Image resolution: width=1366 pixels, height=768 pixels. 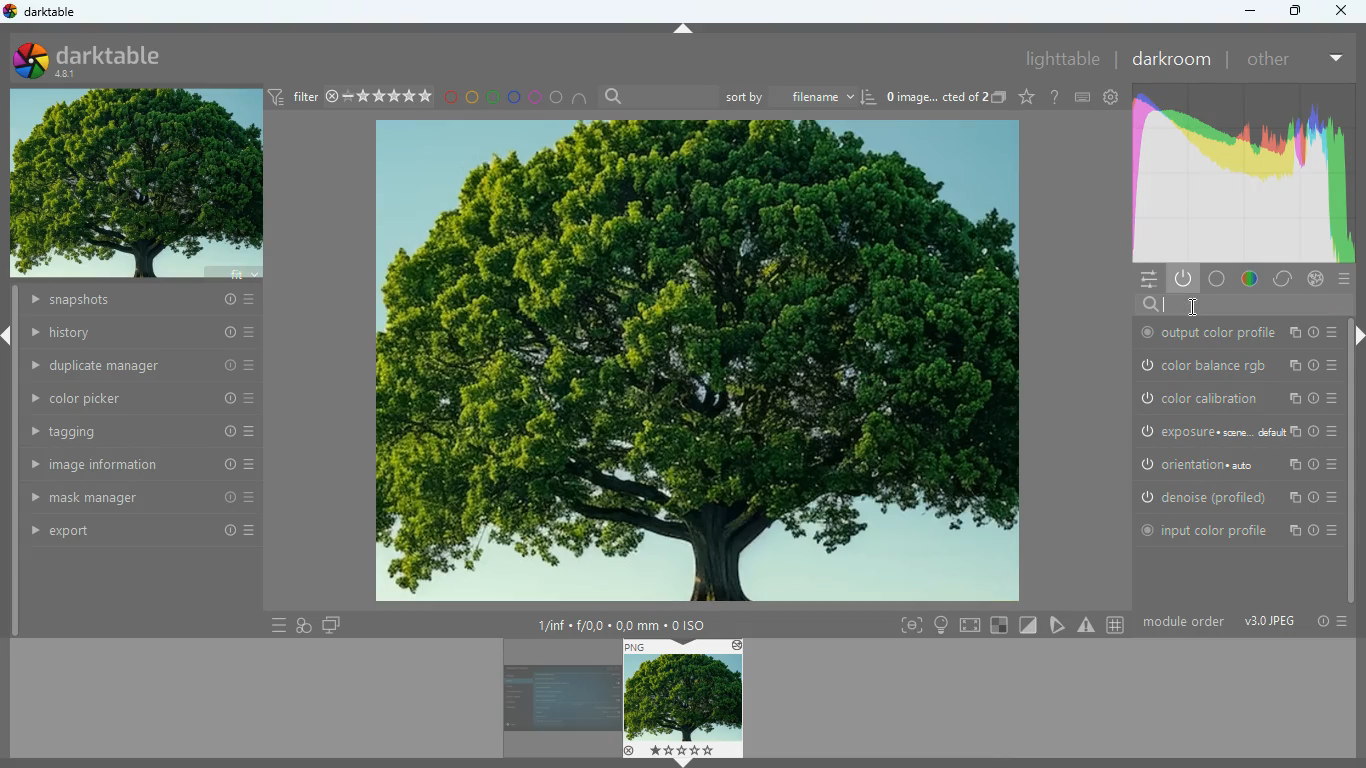 What do you see at coordinates (353, 98) in the screenshot?
I see `filter` at bounding box center [353, 98].